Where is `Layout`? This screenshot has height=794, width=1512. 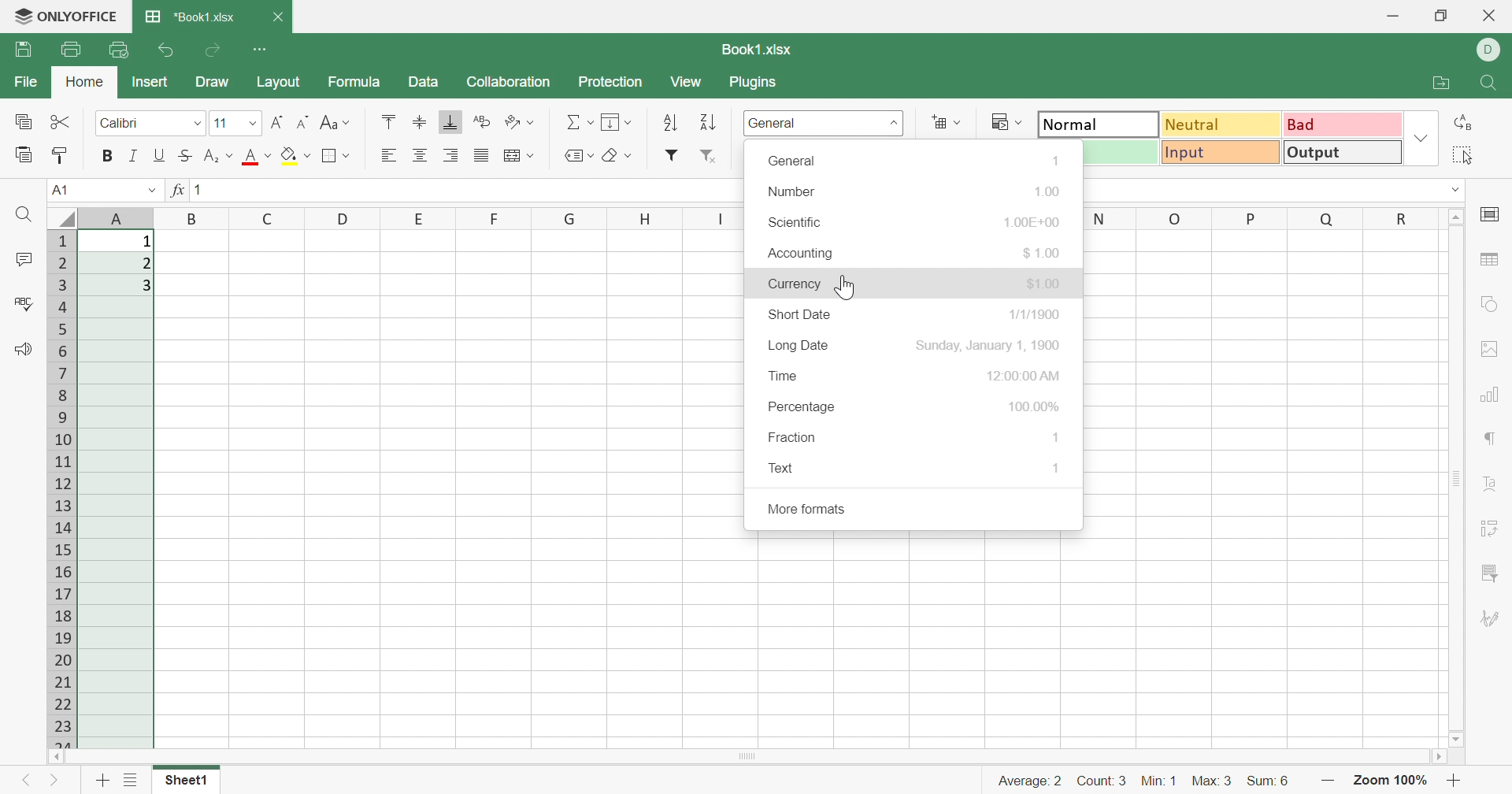
Layout is located at coordinates (278, 82).